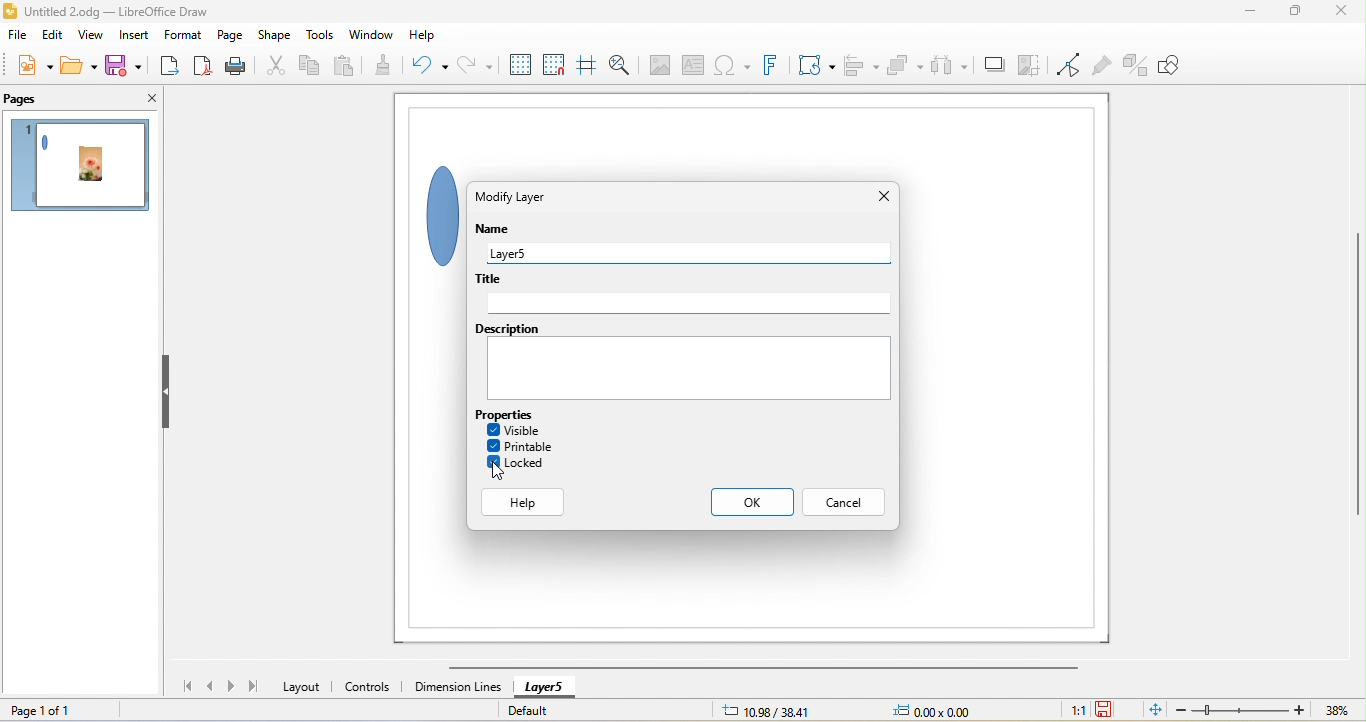 The image size is (1366, 722). I want to click on export, so click(168, 64).